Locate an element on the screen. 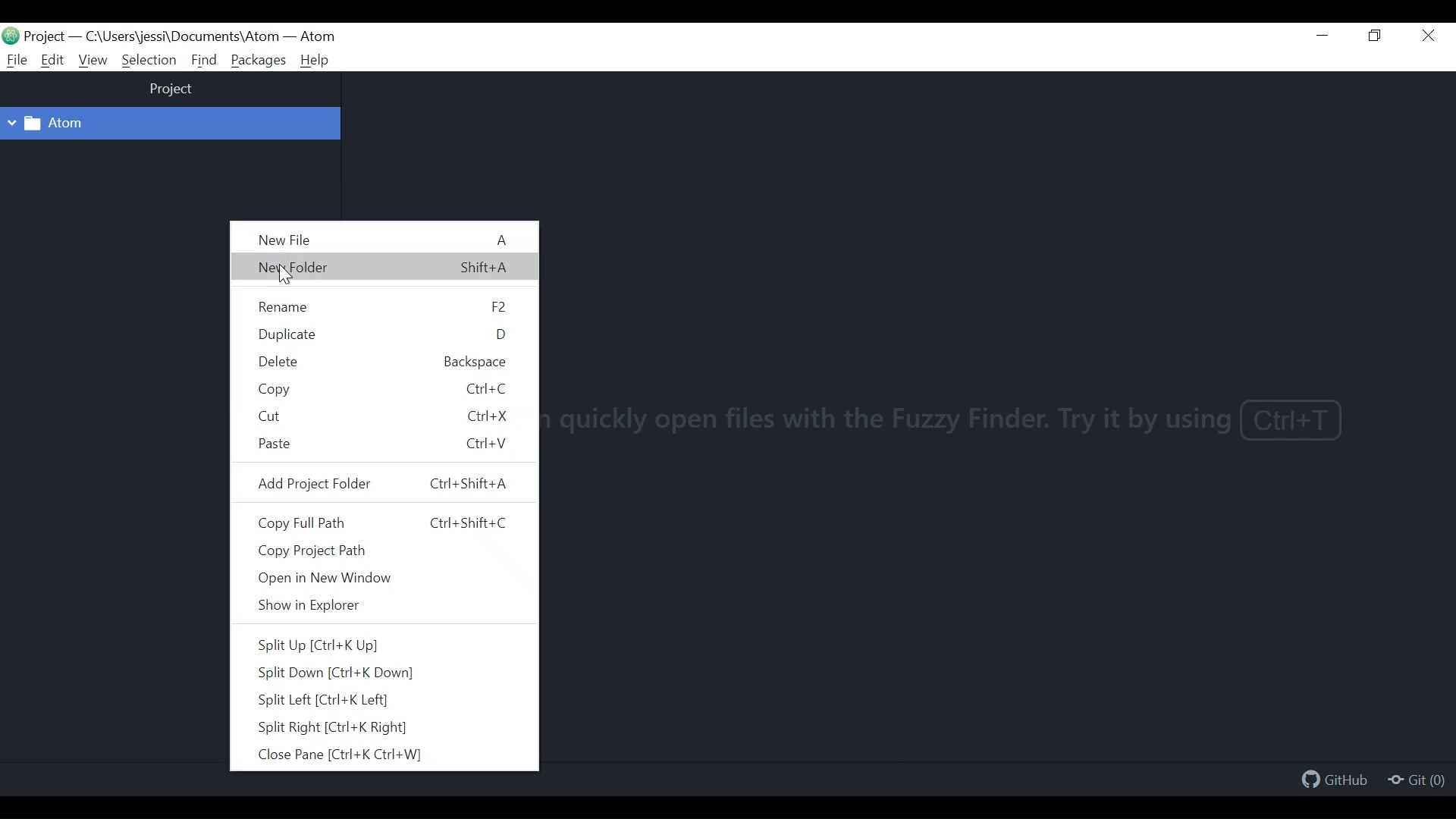  Shift+A is located at coordinates (483, 268).